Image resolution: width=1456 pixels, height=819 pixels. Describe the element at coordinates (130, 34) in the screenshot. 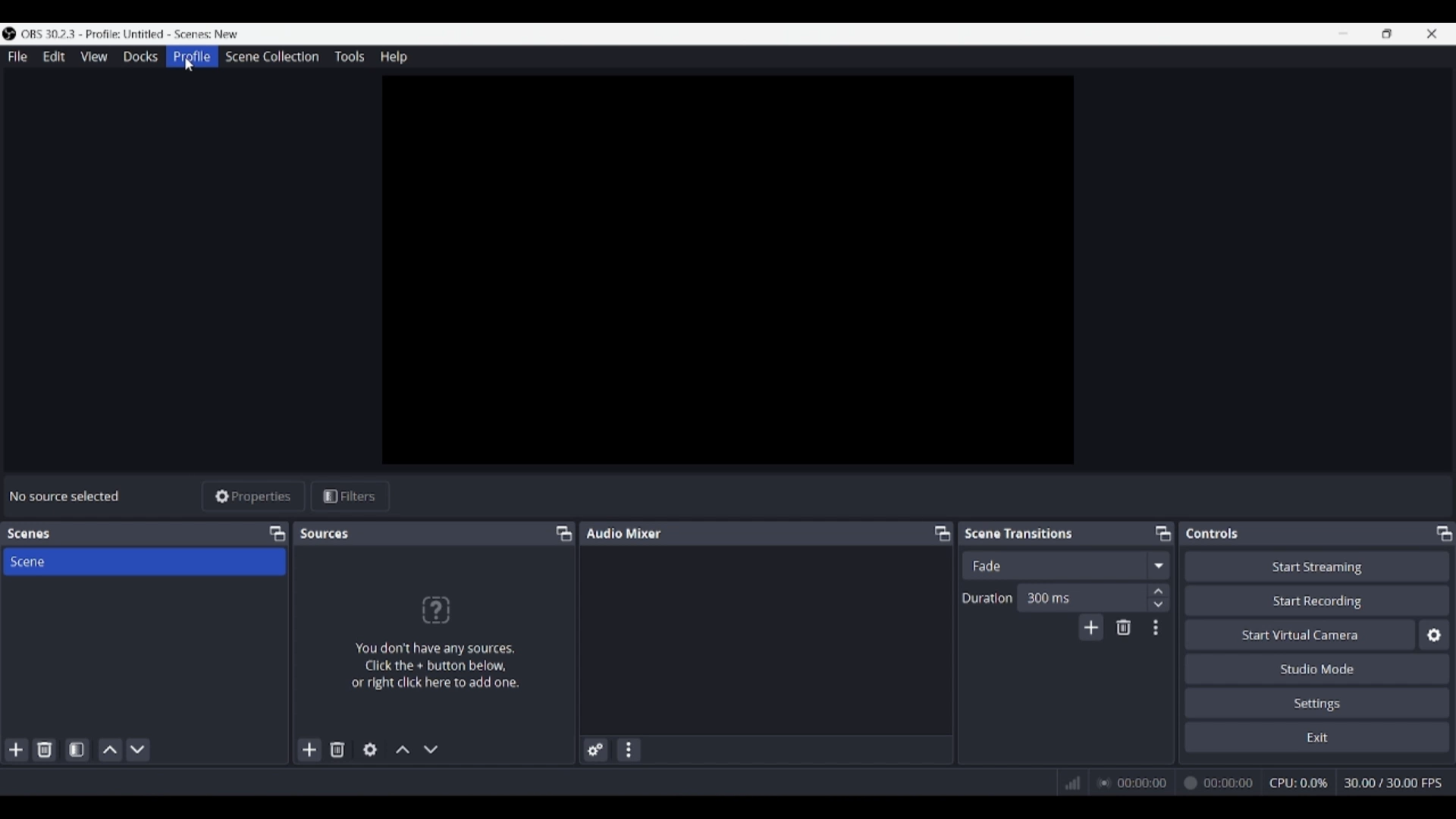

I see `Software and project name` at that location.